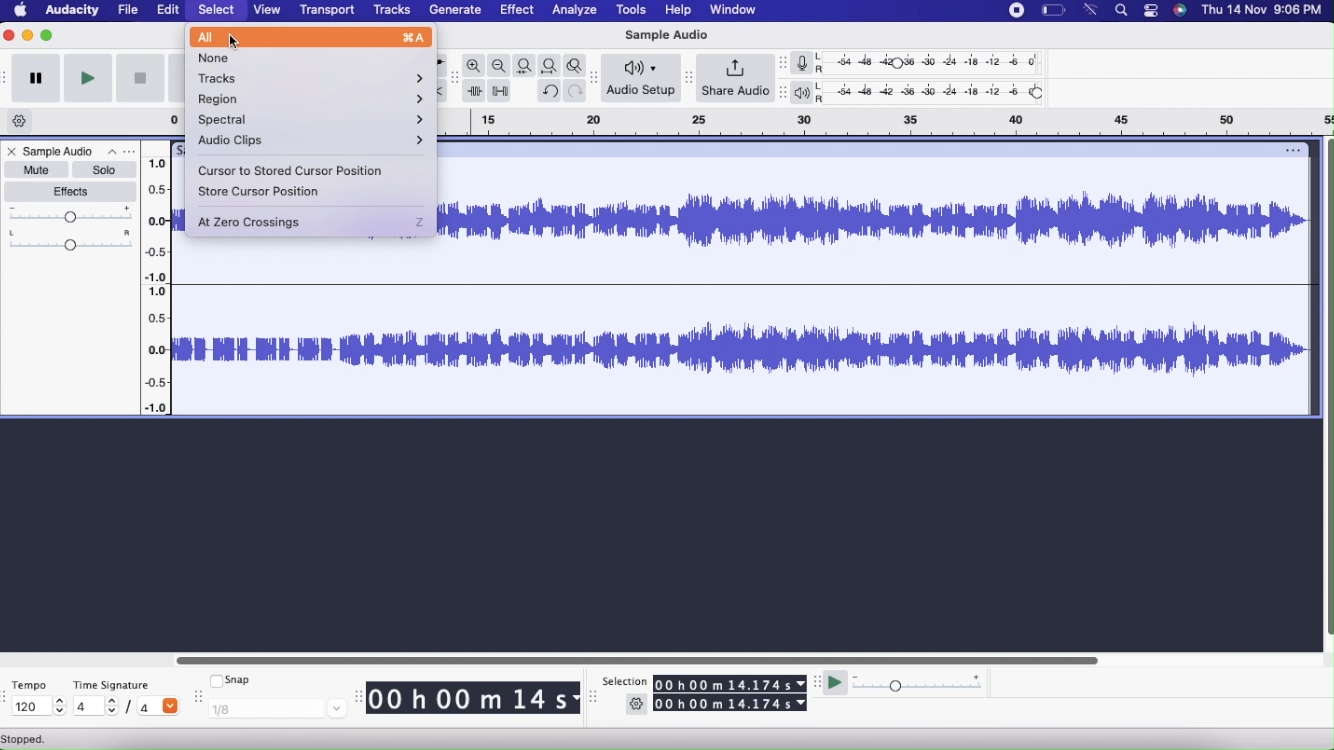 The width and height of the screenshot is (1334, 750). I want to click on None, so click(306, 58).